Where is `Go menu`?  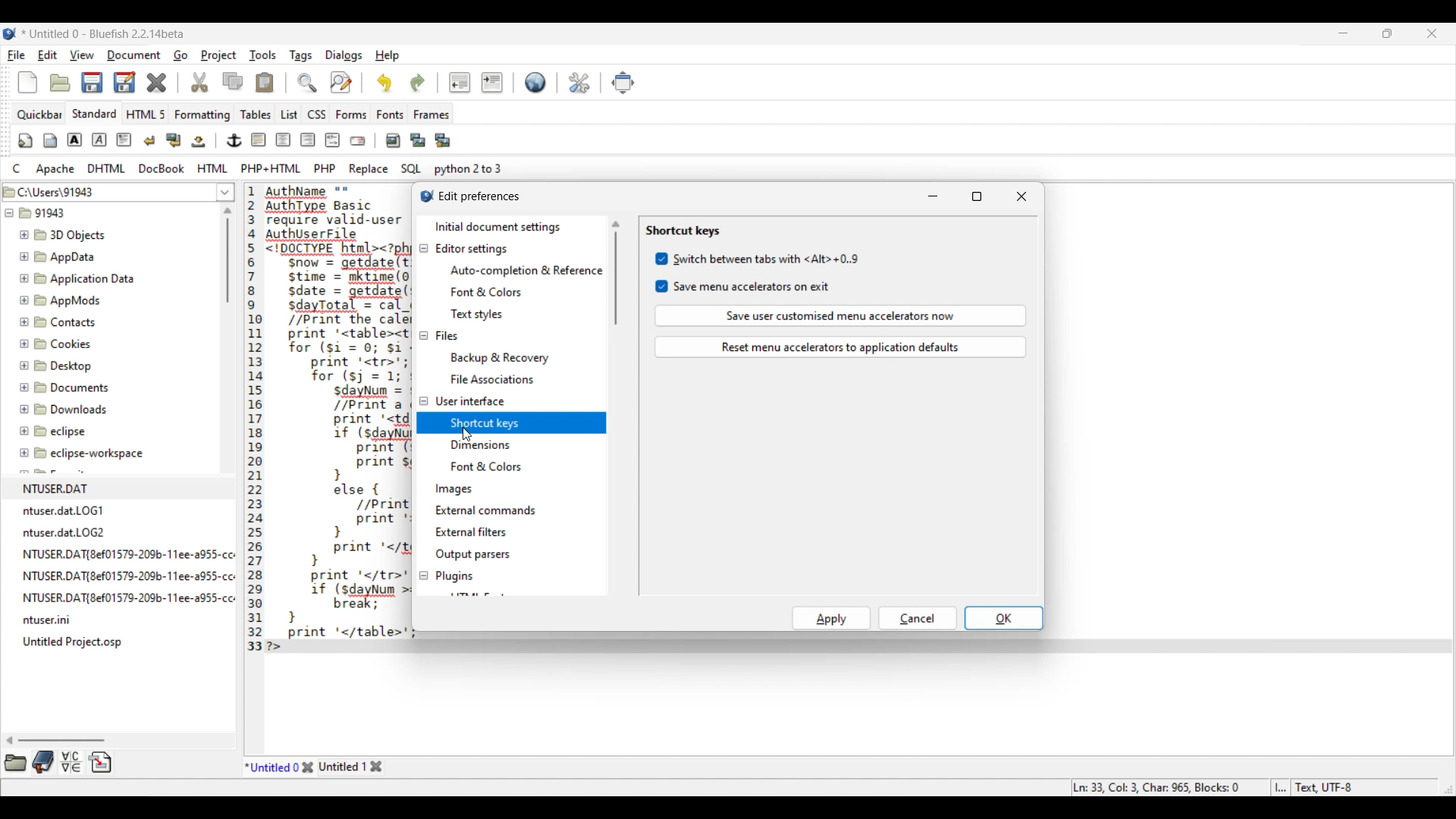 Go menu is located at coordinates (180, 55).